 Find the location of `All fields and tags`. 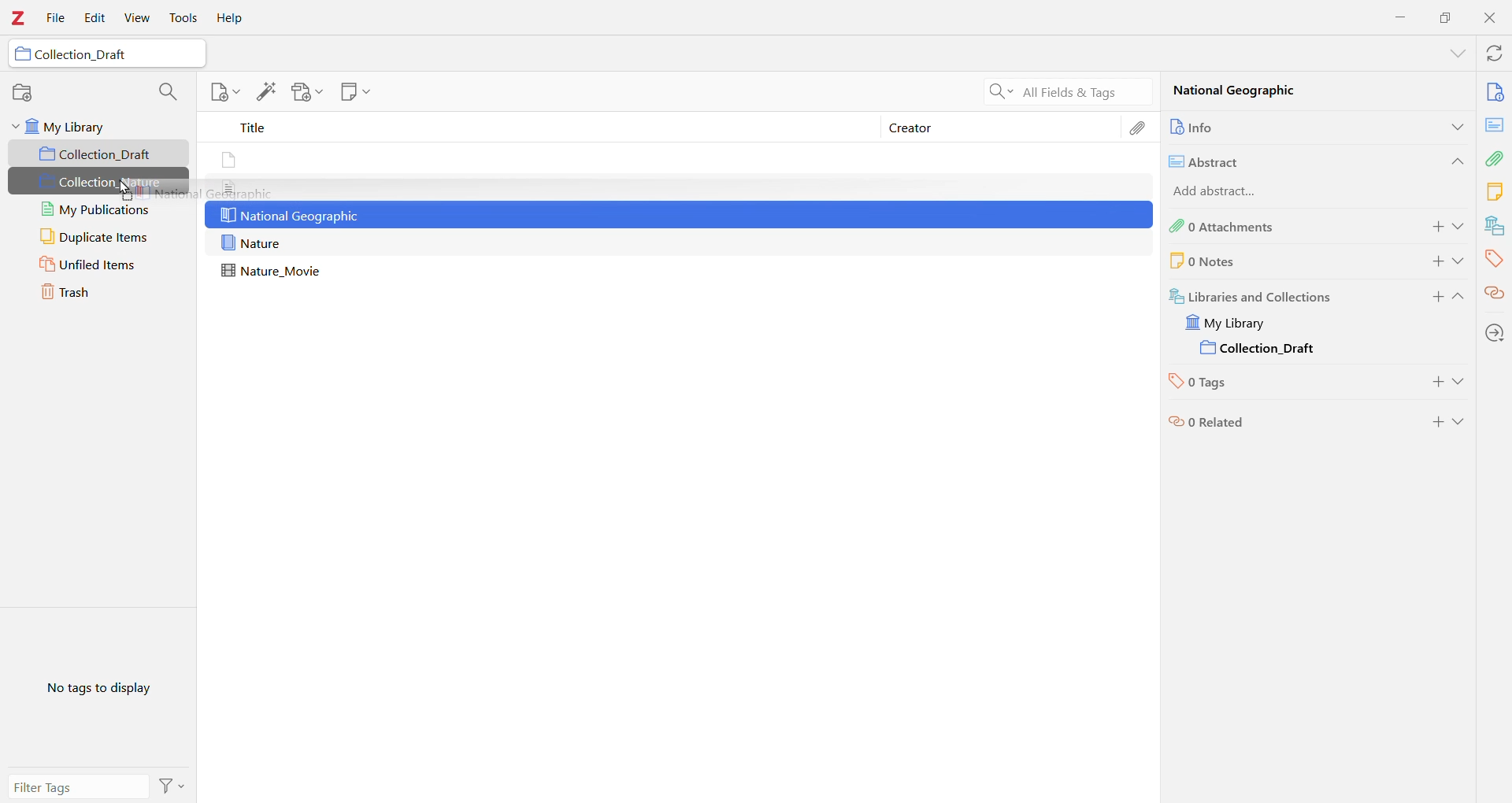

All fields and tags is located at coordinates (1065, 91).